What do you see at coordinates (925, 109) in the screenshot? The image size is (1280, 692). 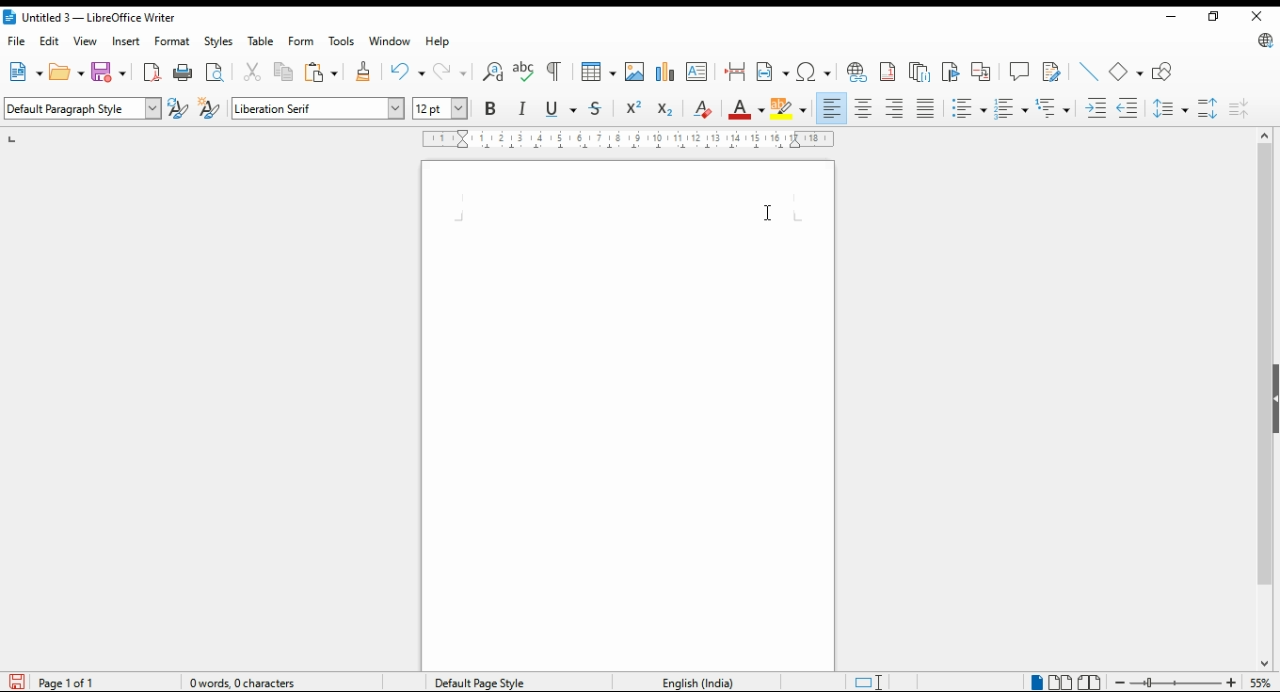 I see `justified` at bounding box center [925, 109].